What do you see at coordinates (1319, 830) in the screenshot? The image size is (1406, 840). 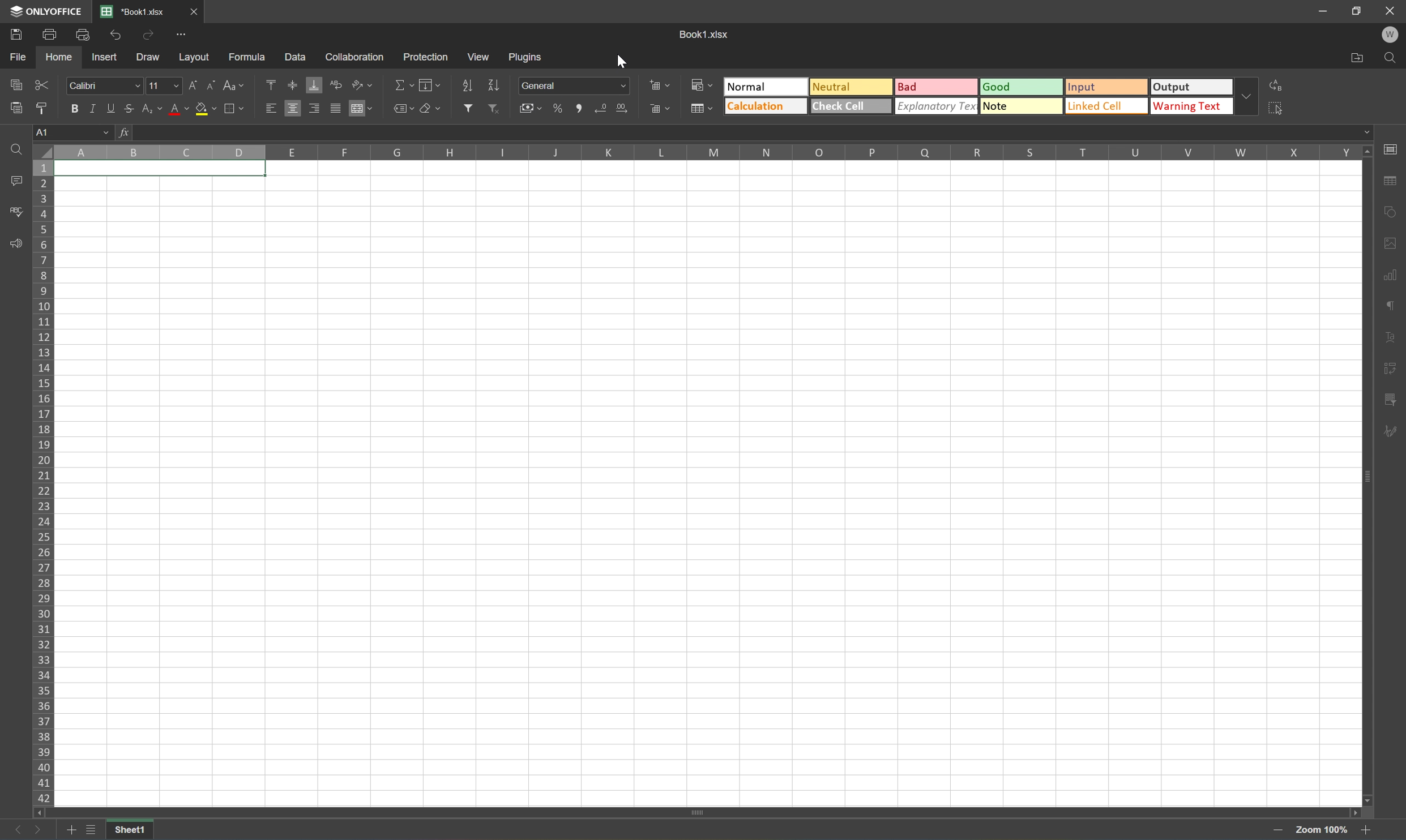 I see `Zoom 100%` at bounding box center [1319, 830].